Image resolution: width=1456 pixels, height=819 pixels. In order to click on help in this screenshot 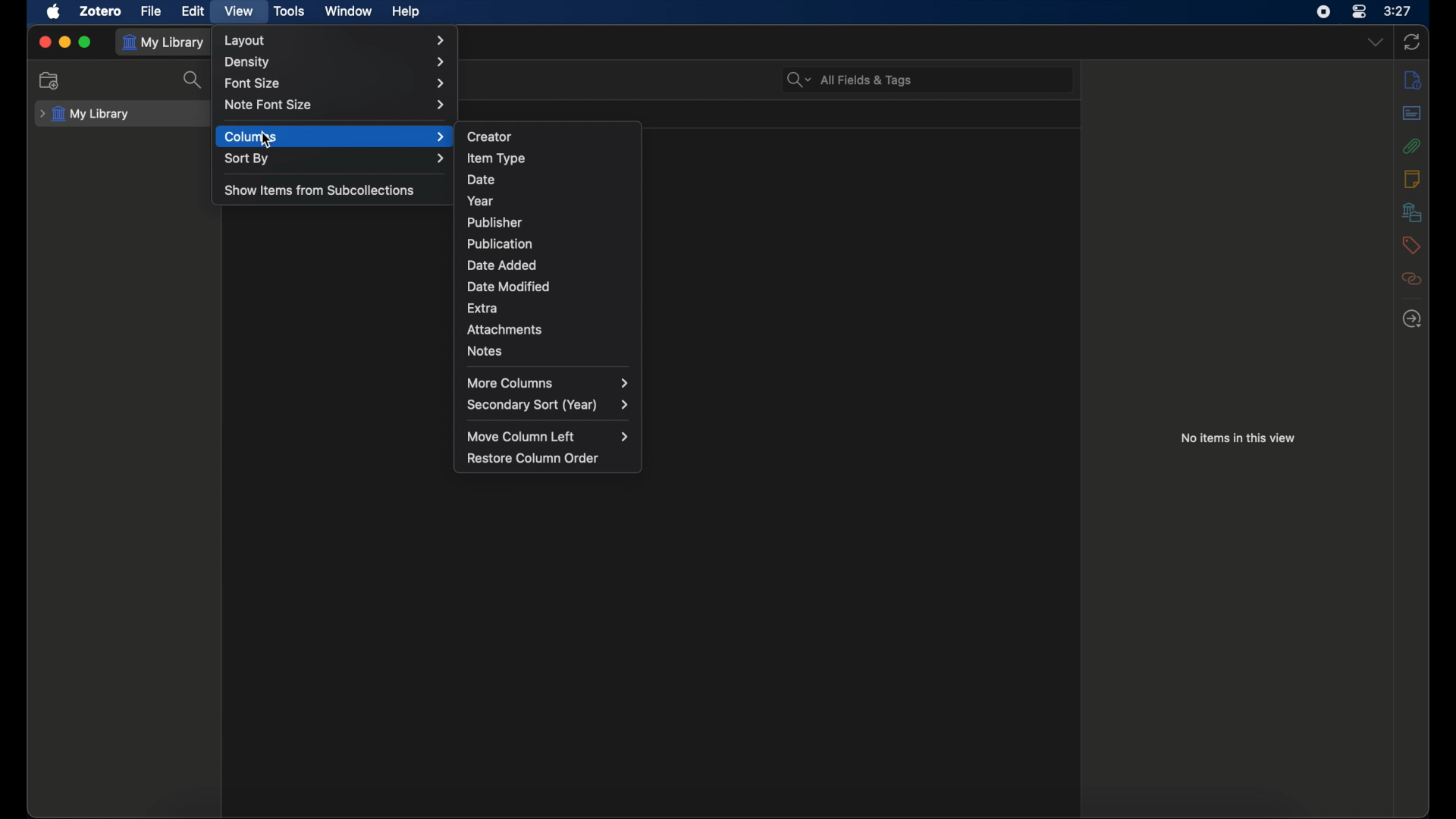, I will do `click(406, 12)`.